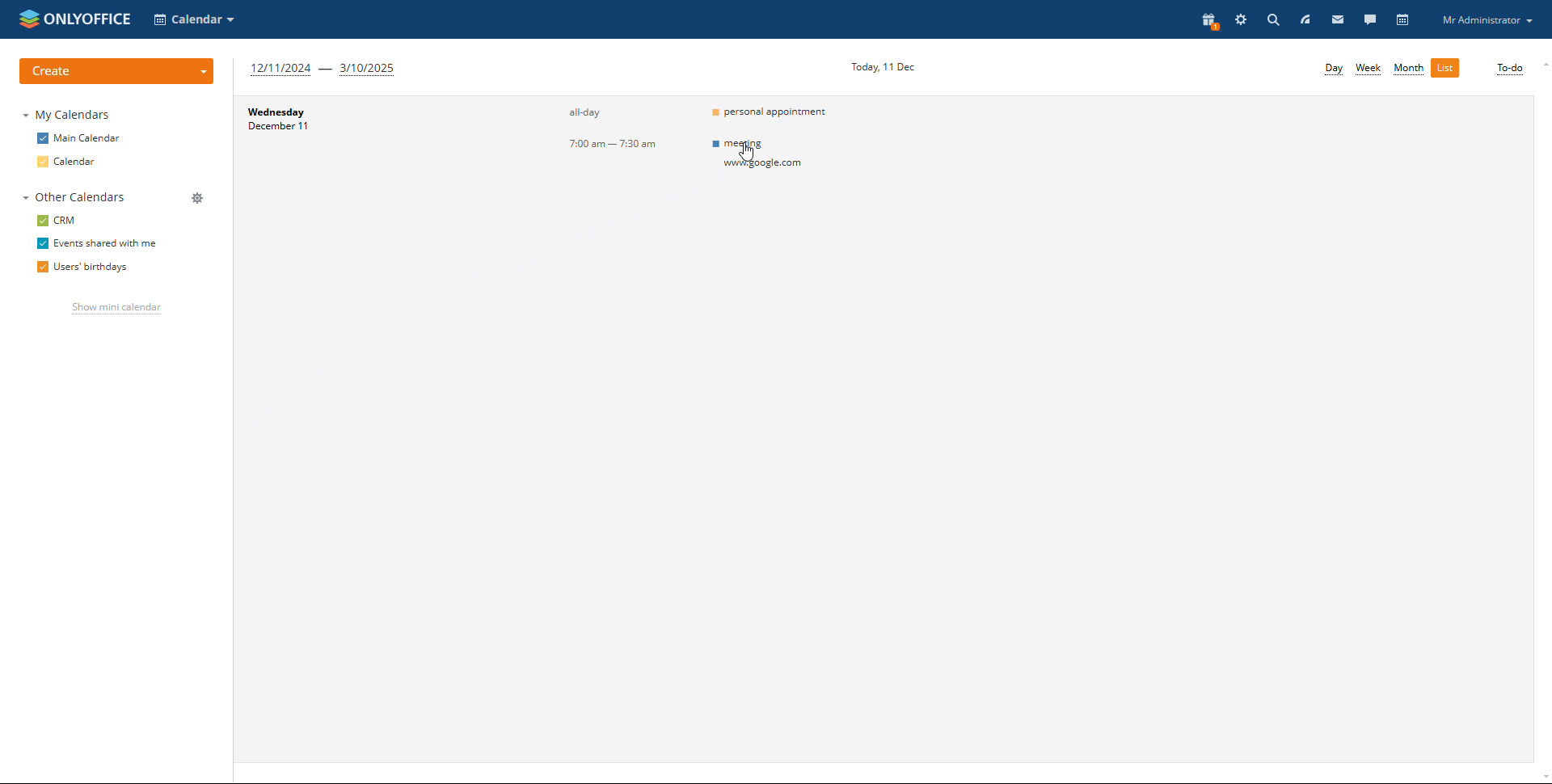  I want to click on scroll down, so click(1542, 778).